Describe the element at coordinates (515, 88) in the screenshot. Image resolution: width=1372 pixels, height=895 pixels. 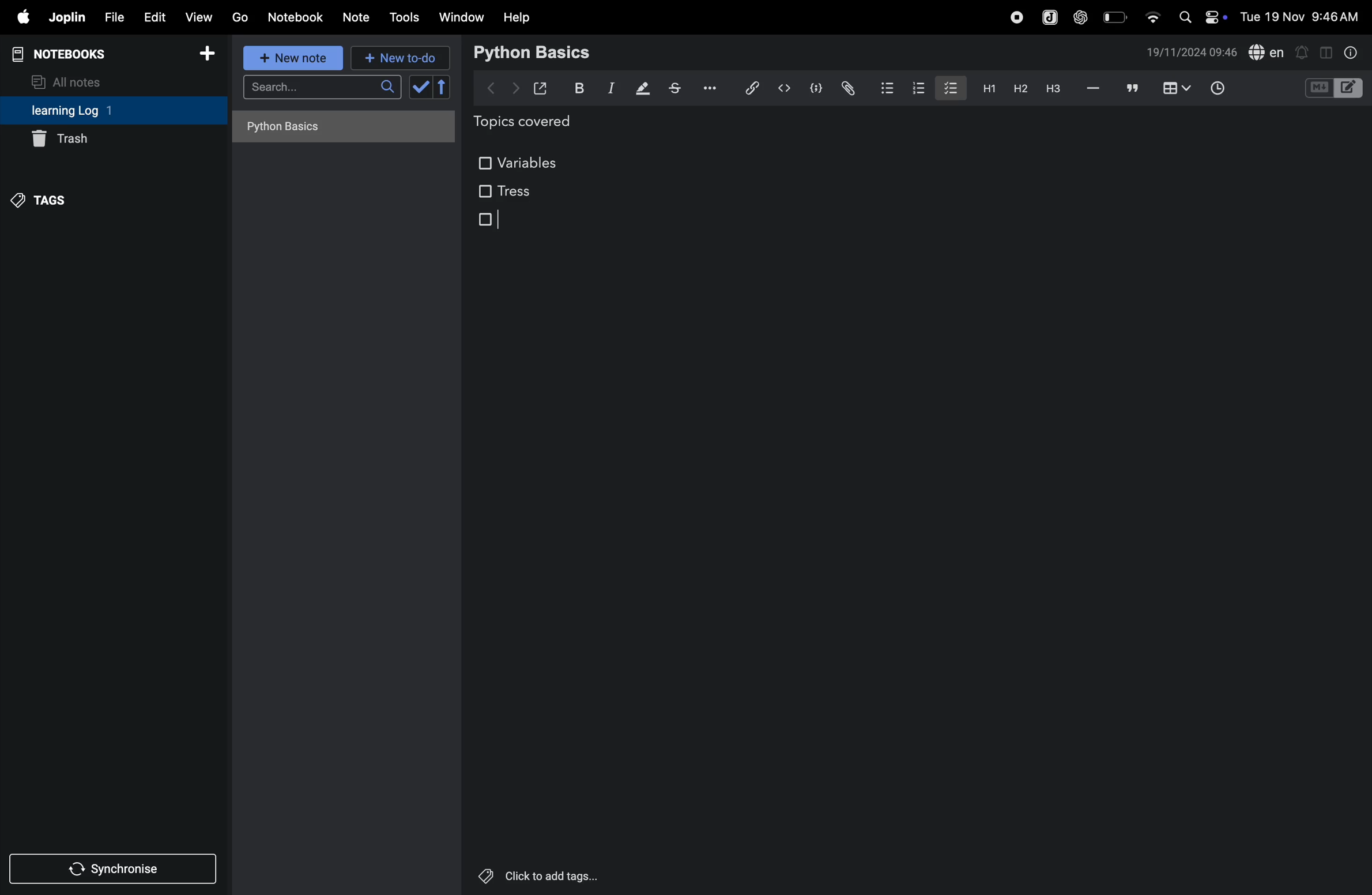
I see `forward` at that location.